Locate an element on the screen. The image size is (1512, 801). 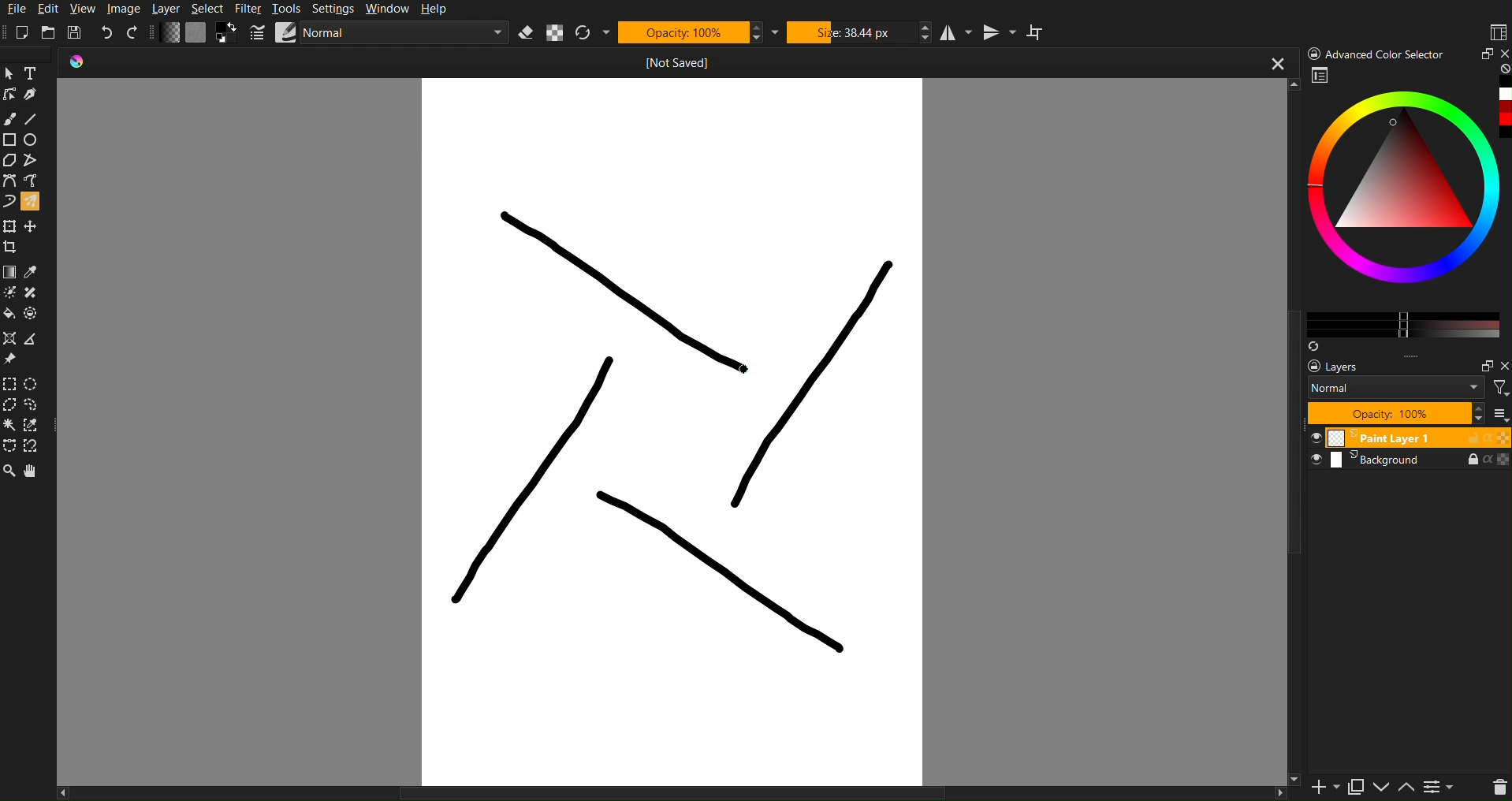
Advanced Color Selector is located at coordinates (1378, 53).